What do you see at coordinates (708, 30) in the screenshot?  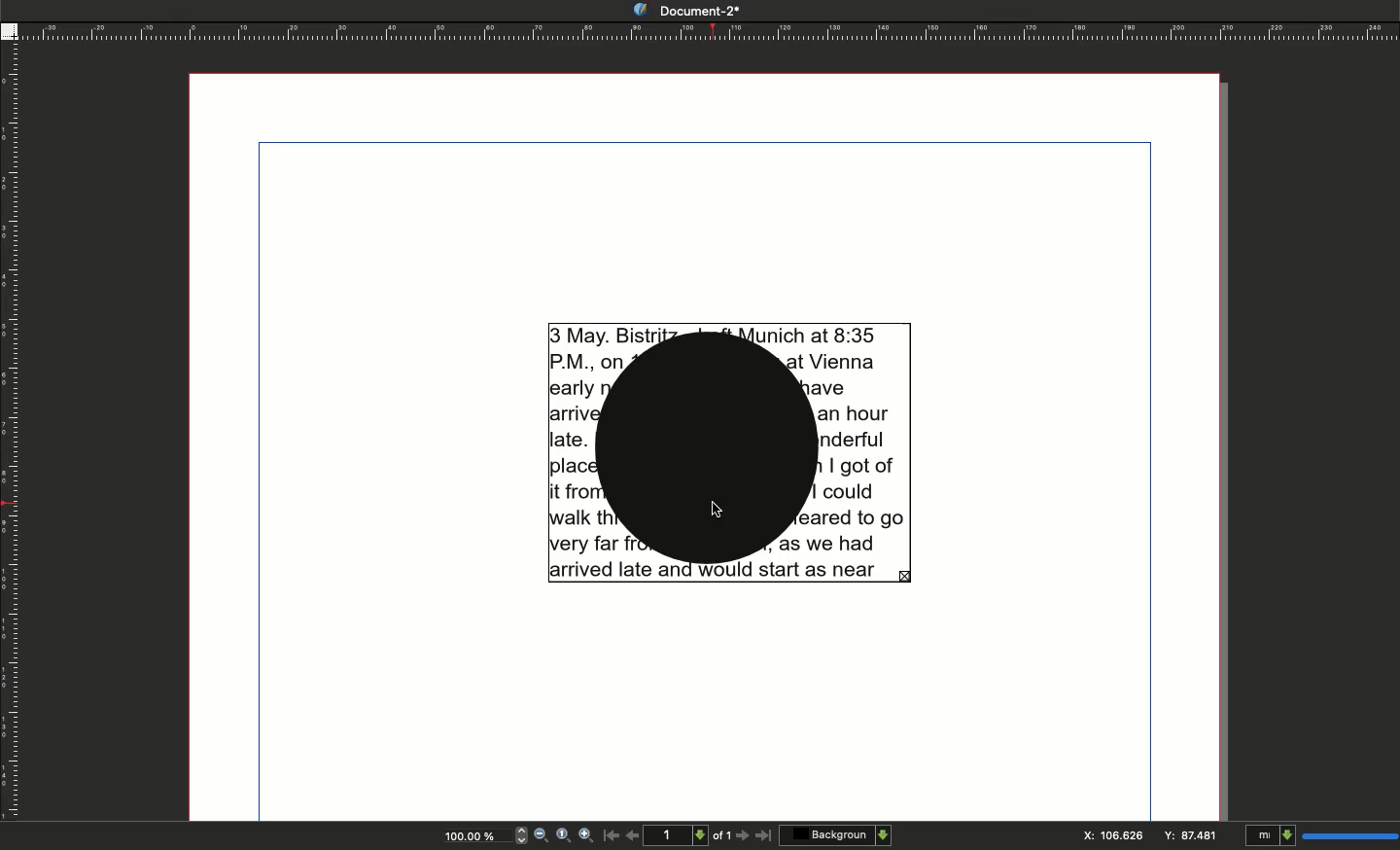 I see `Ruler` at bounding box center [708, 30].